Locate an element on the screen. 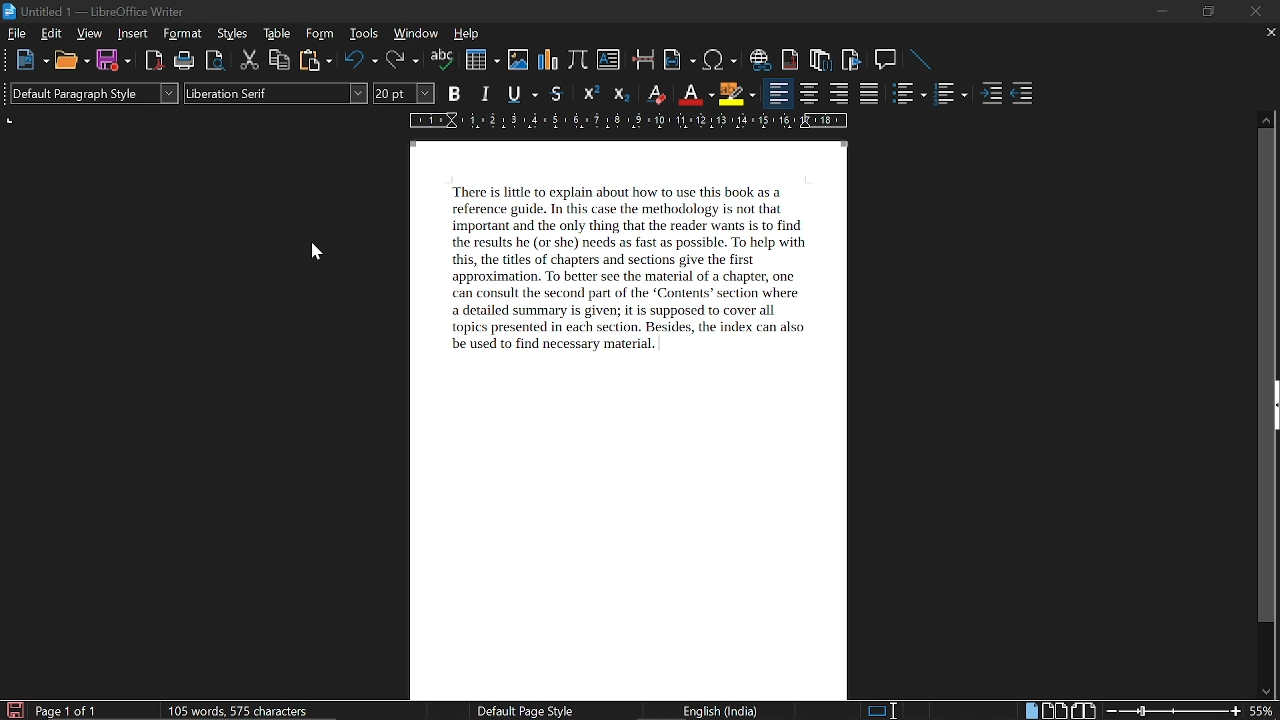 This screenshot has width=1280, height=720. table is located at coordinates (279, 33).